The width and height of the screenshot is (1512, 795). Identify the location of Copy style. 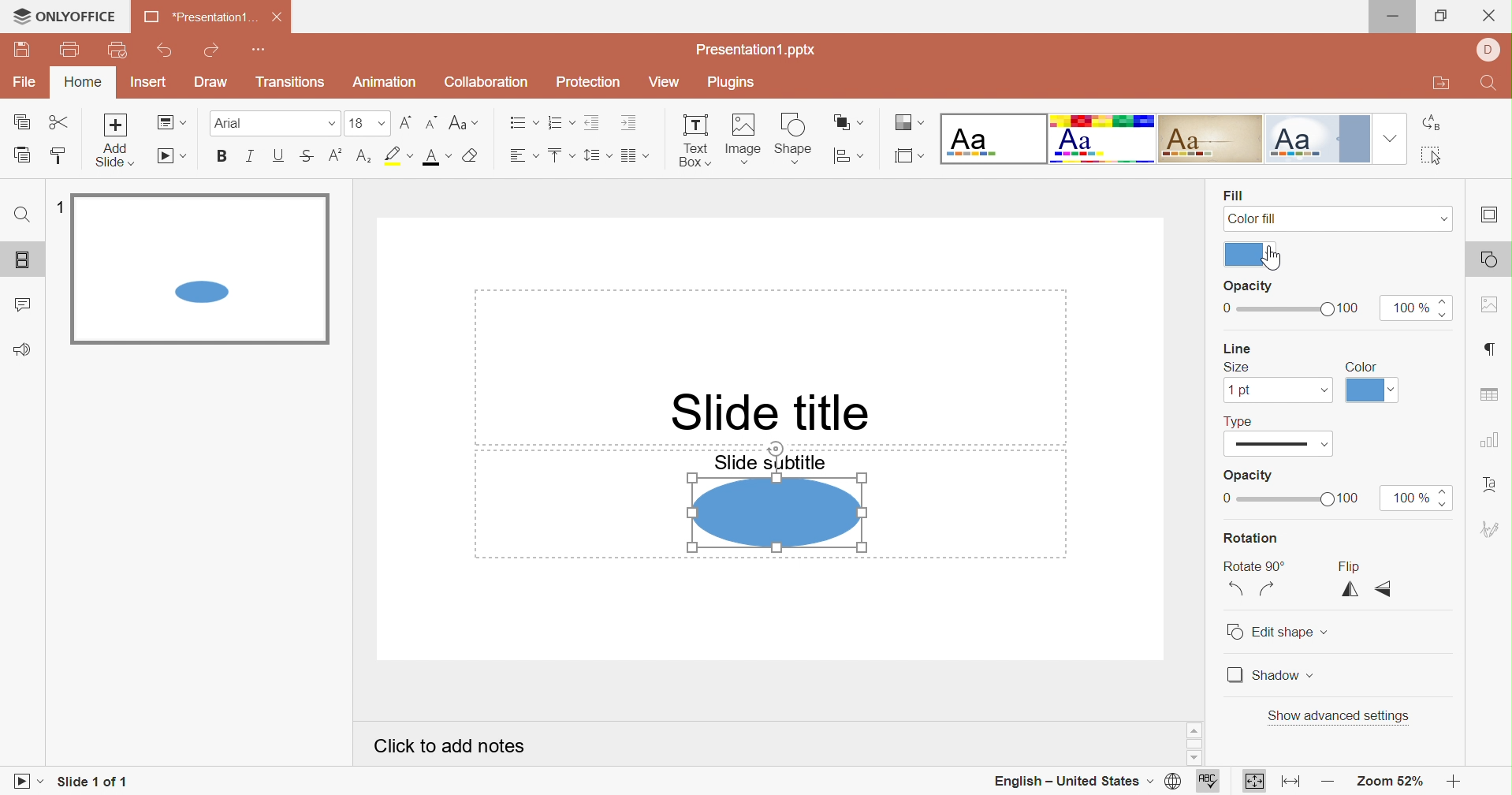
(60, 155).